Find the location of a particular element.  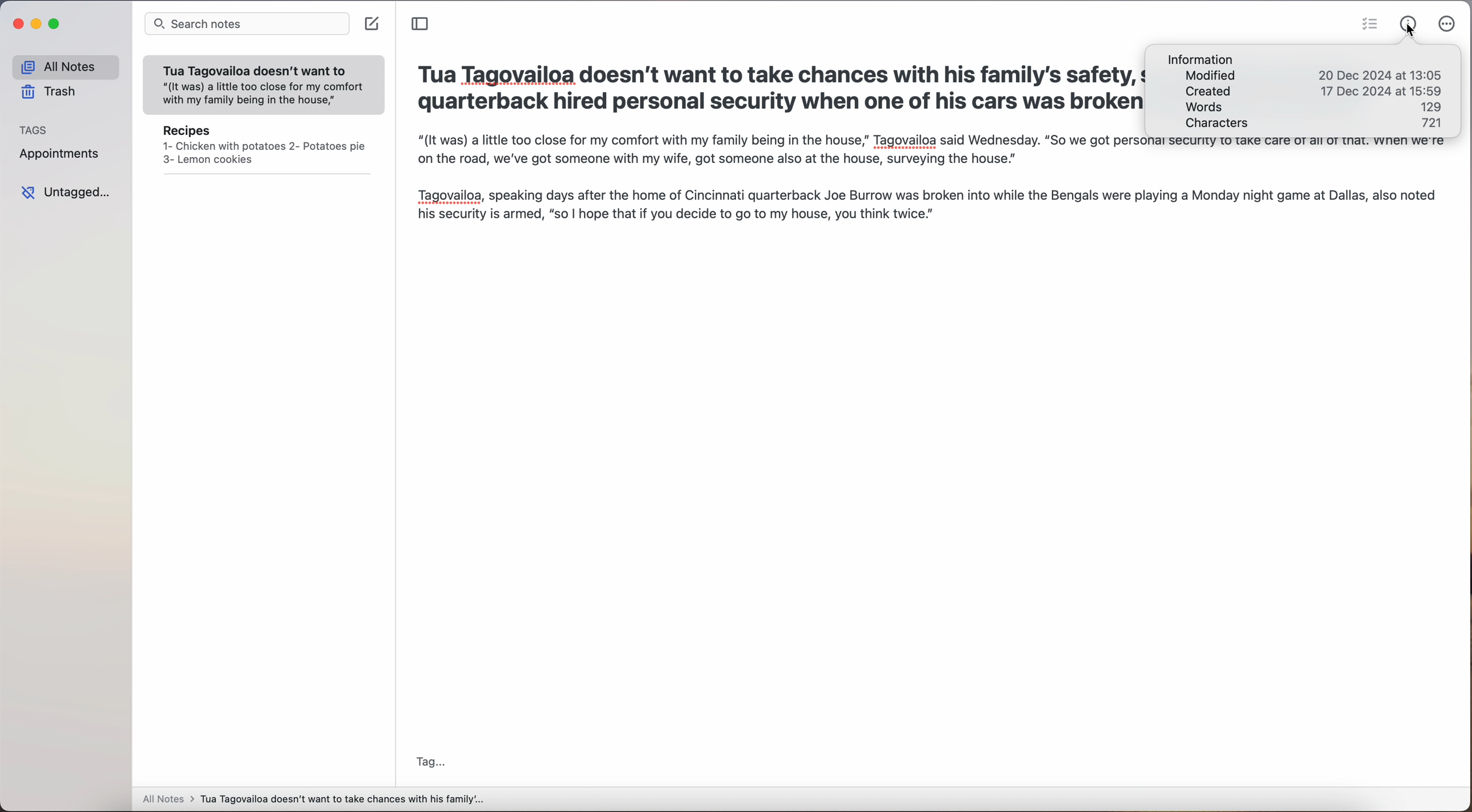

appointments is located at coordinates (59, 155).